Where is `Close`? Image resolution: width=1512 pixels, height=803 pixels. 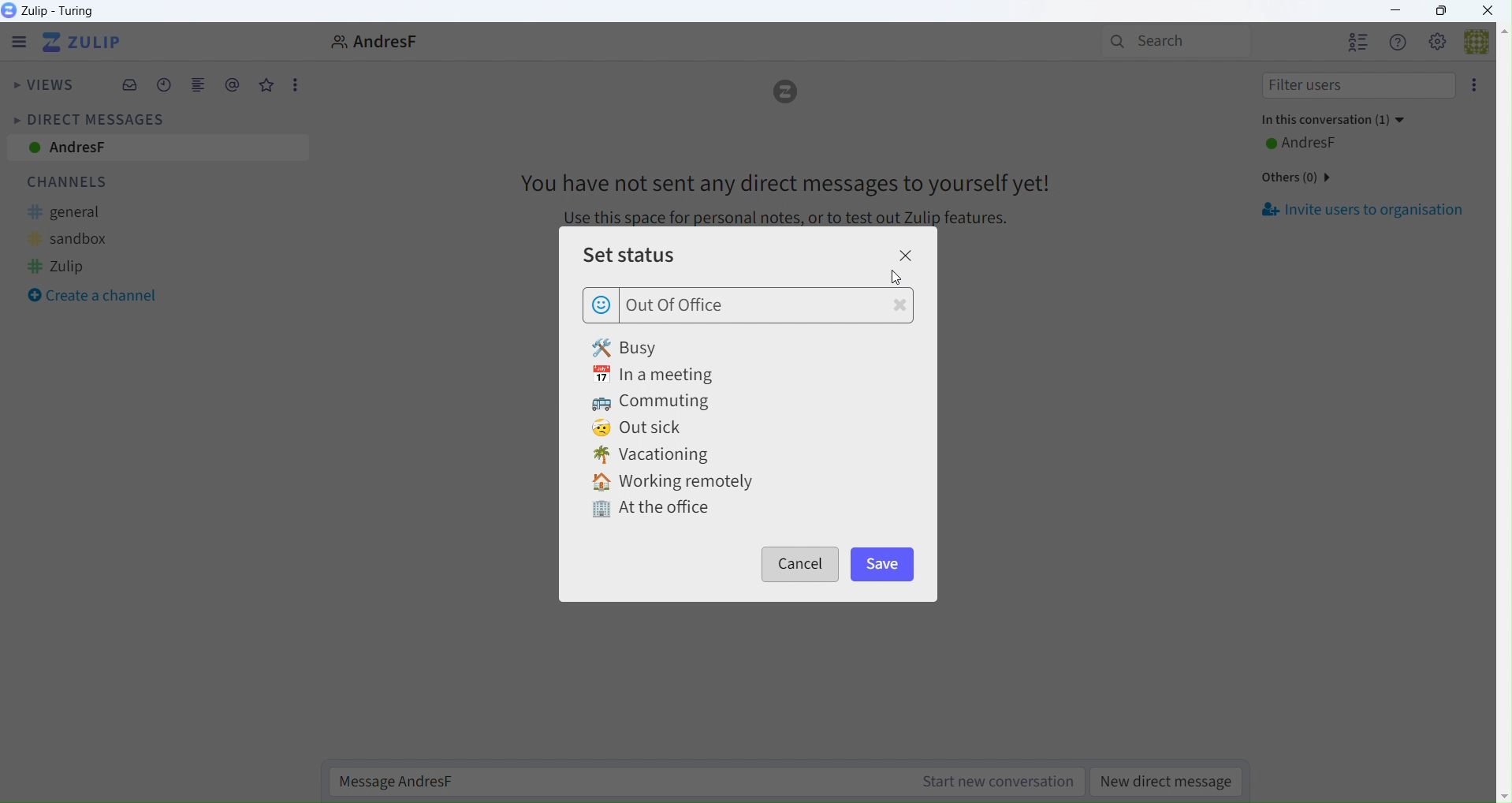 Close is located at coordinates (1493, 11).